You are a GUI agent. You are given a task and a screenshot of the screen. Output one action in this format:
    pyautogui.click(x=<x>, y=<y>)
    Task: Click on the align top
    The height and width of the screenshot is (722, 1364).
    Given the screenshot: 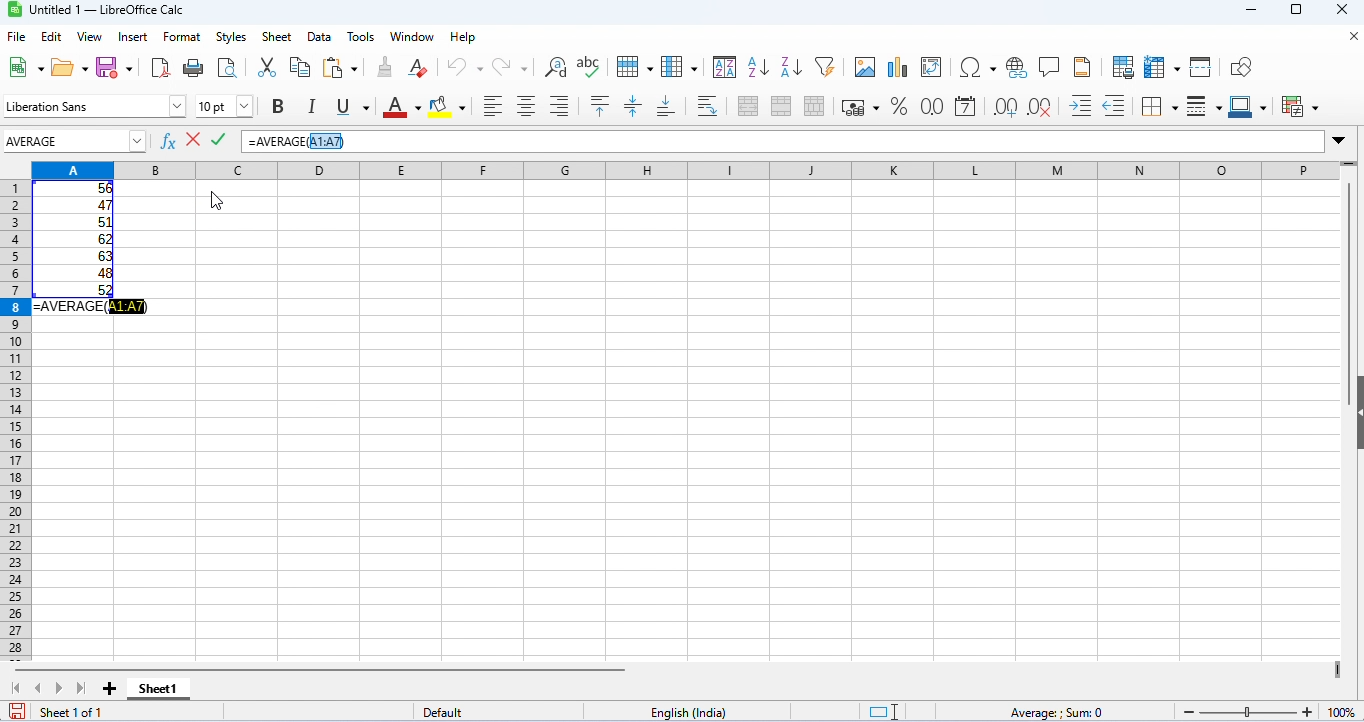 What is the action you would take?
    pyautogui.click(x=602, y=106)
    